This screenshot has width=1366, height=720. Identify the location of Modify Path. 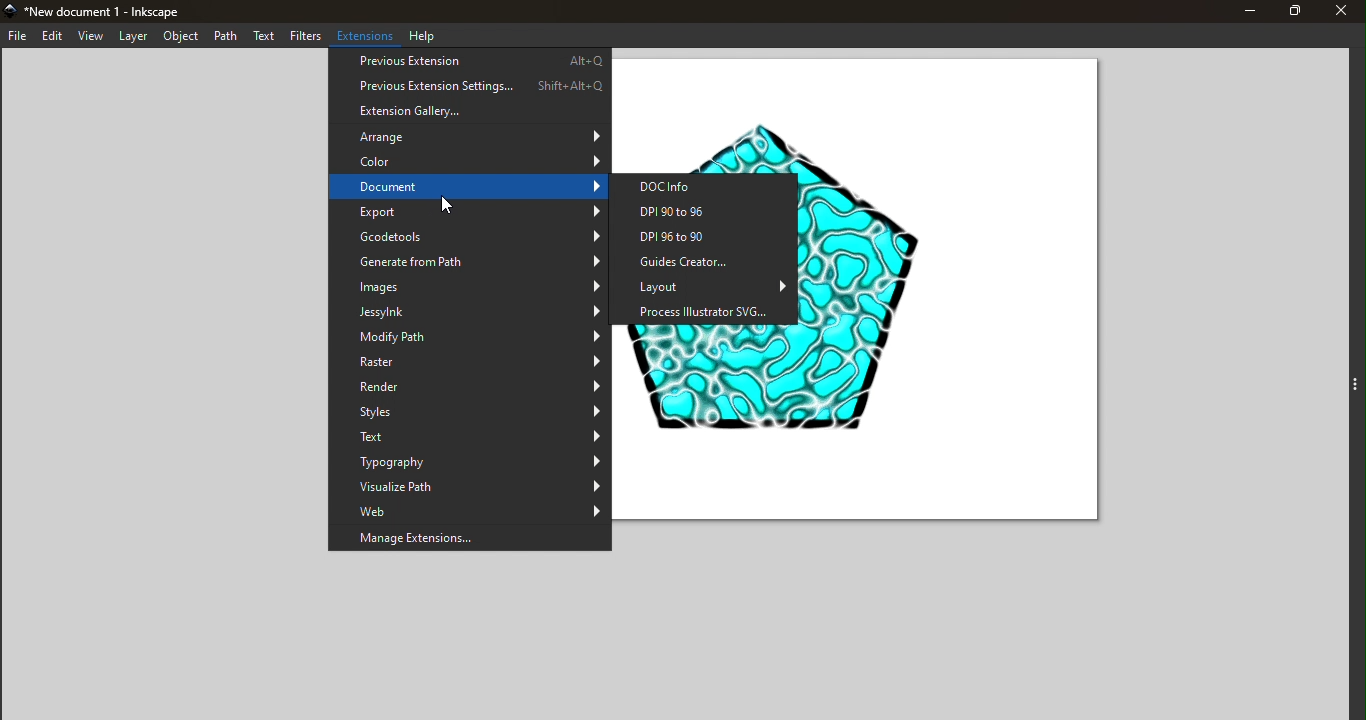
(471, 339).